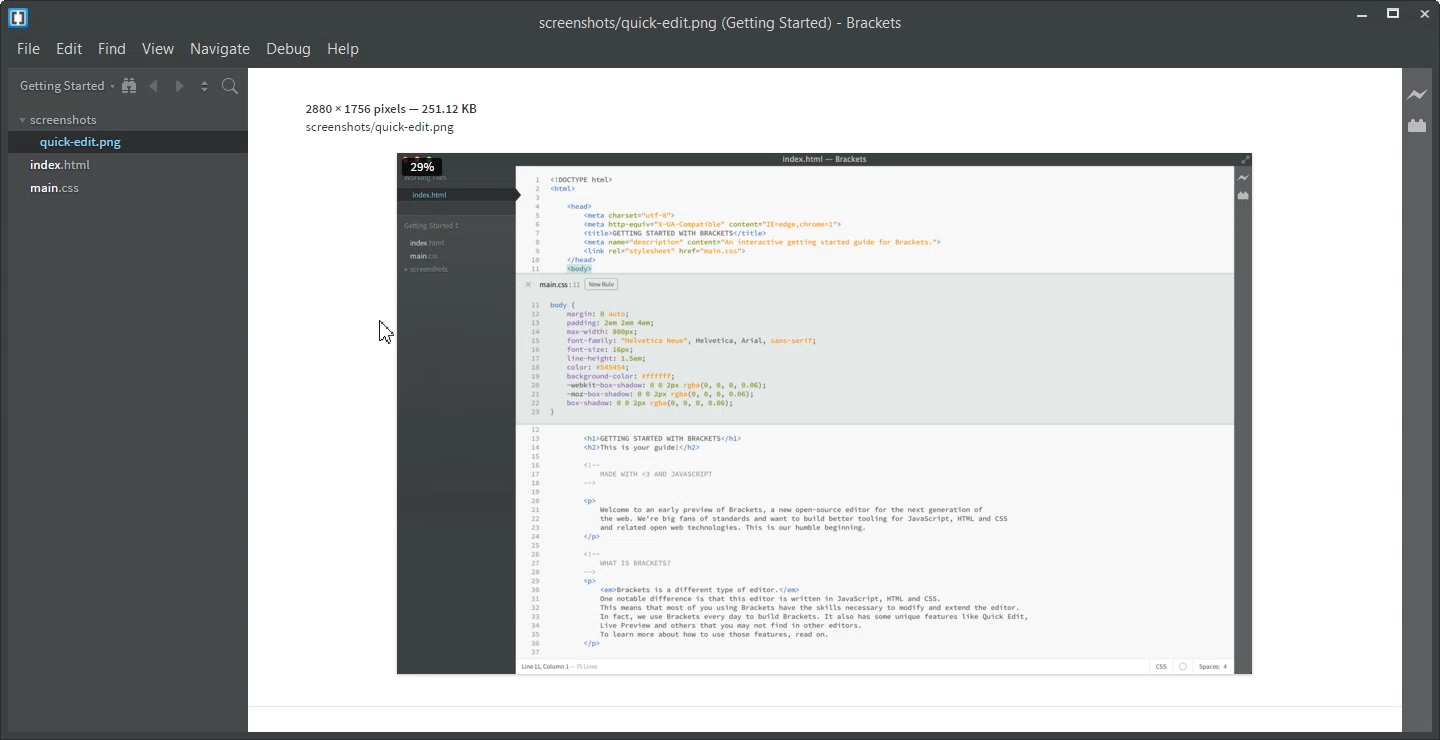 Image resolution: width=1440 pixels, height=740 pixels. Describe the element at coordinates (803, 393) in the screenshot. I see `File Image Preview` at that location.